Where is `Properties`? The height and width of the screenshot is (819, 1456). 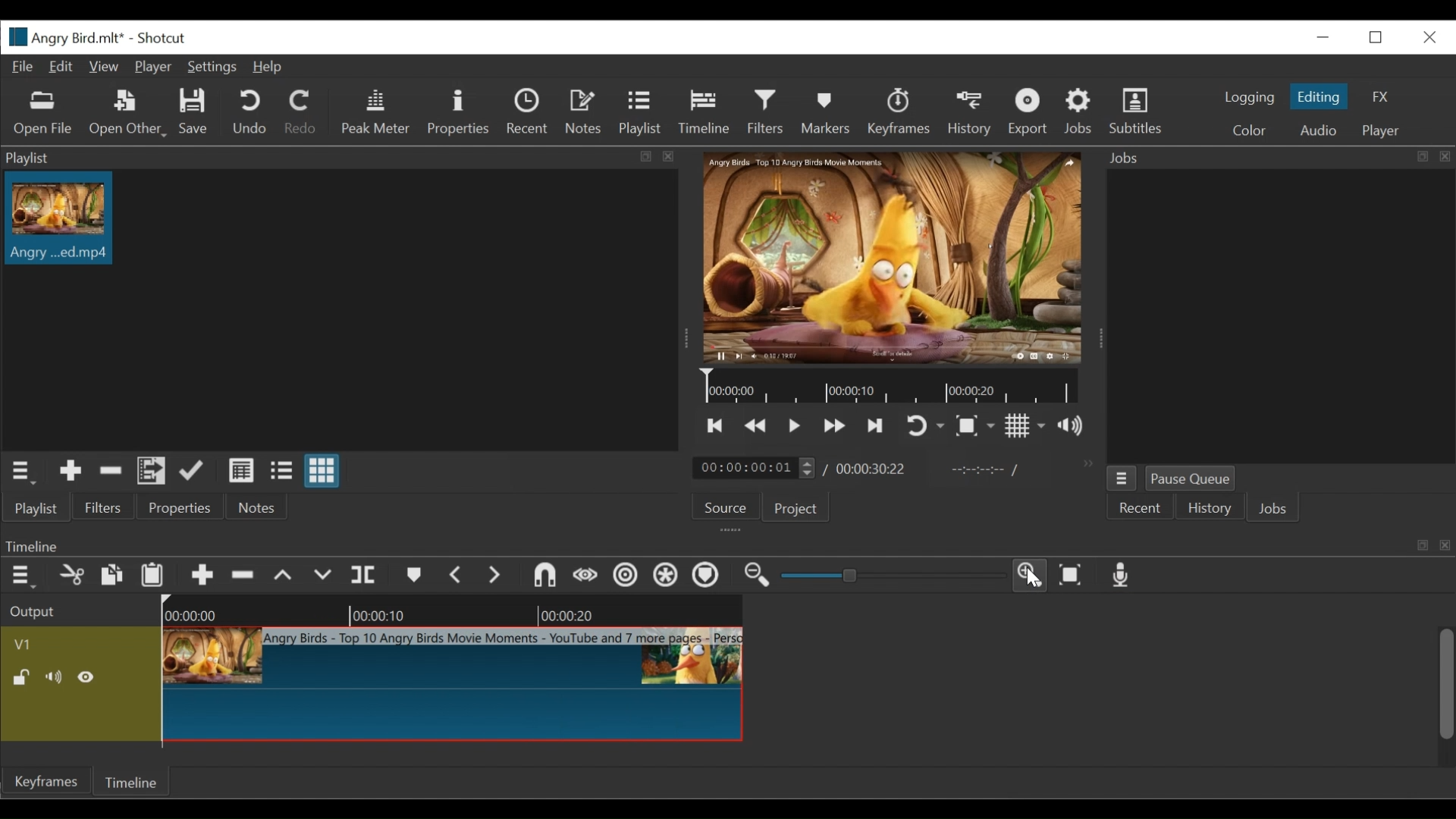 Properties is located at coordinates (457, 113).